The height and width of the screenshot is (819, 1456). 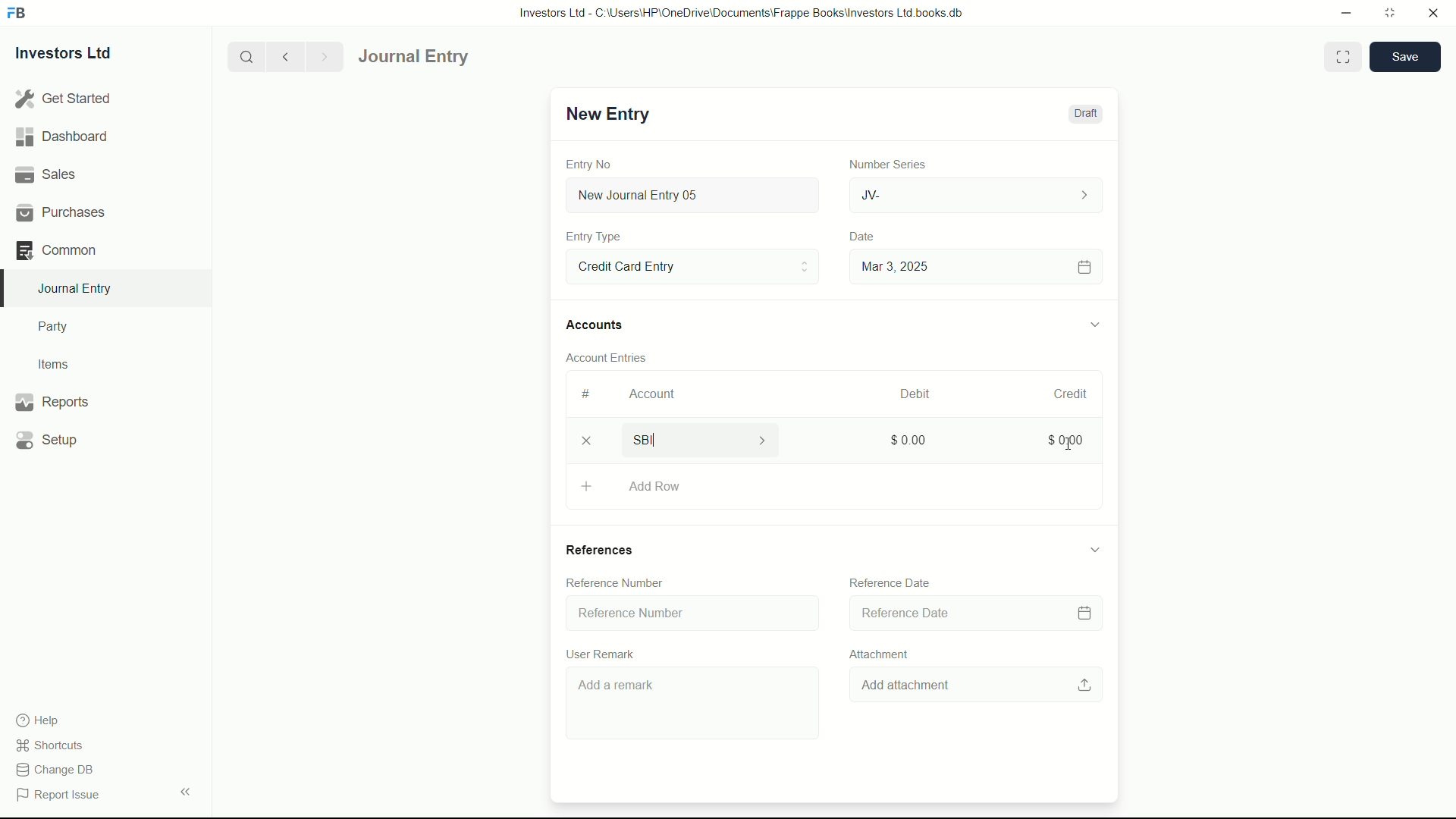 What do you see at coordinates (77, 55) in the screenshot?
I see `Investors Ltd` at bounding box center [77, 55].